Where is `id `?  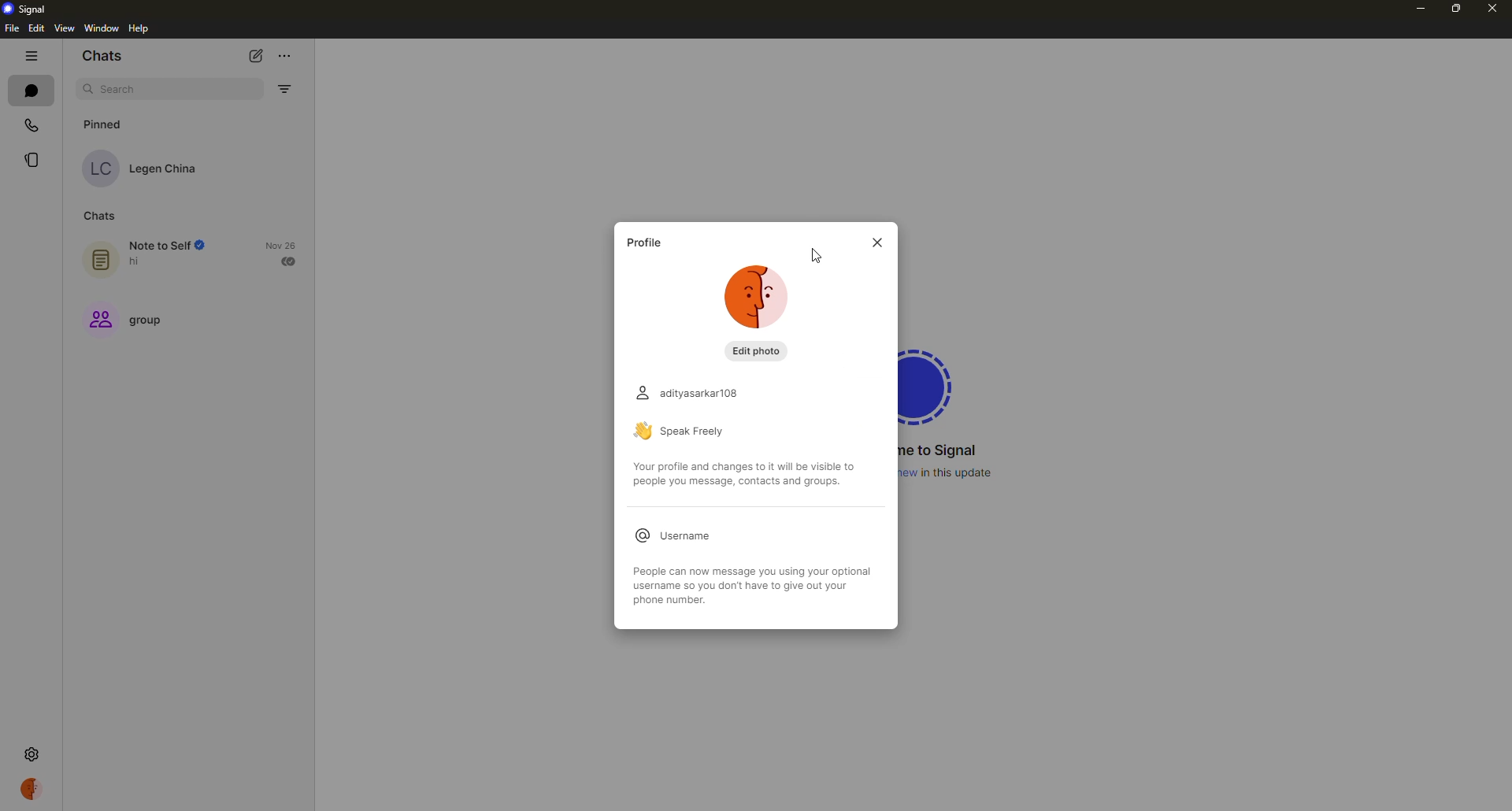
id  is located at coordinates (686, 393).